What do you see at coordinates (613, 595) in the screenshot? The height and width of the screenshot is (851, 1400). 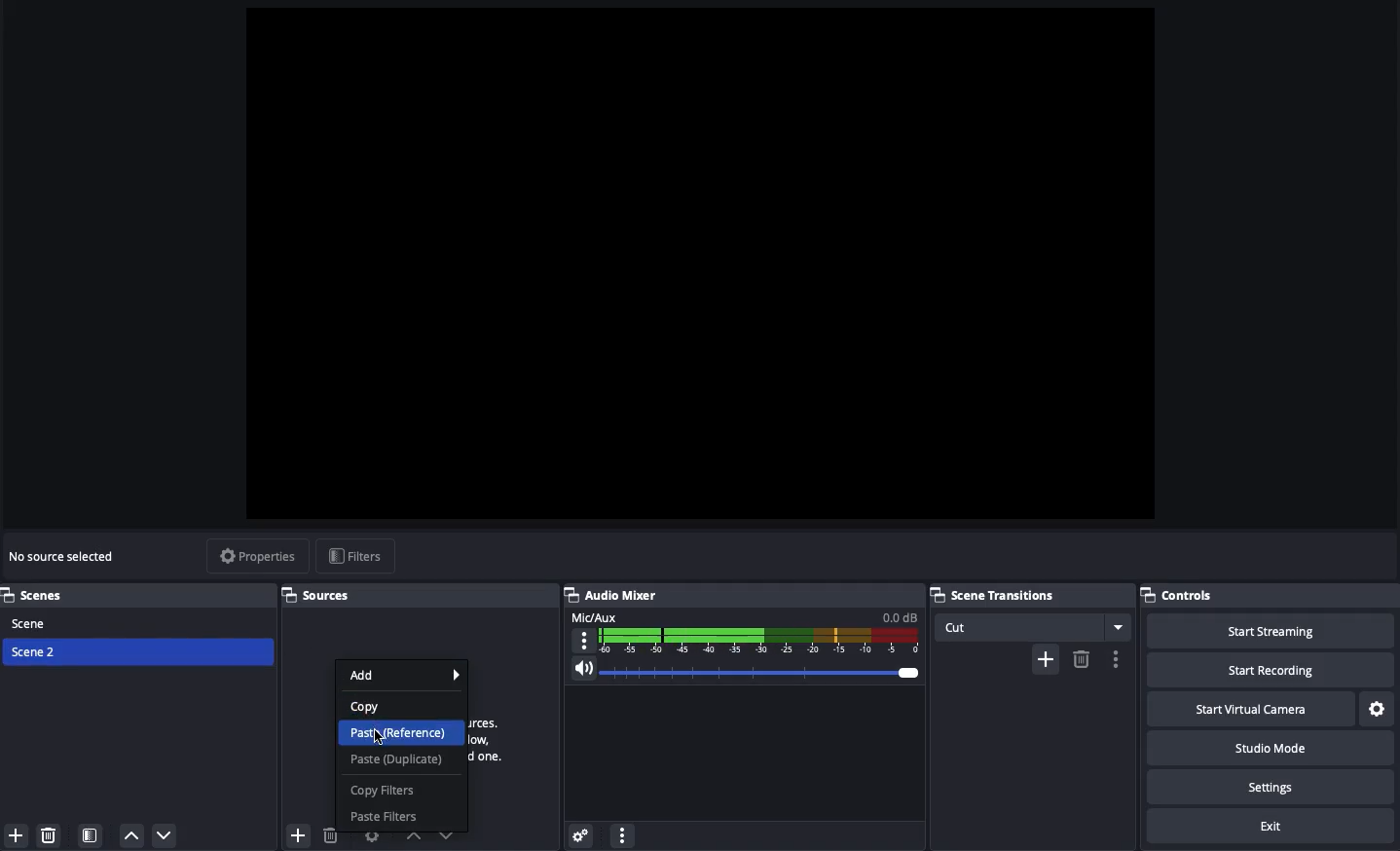 I see `Audio mixer` at bounding box center [613, 595].